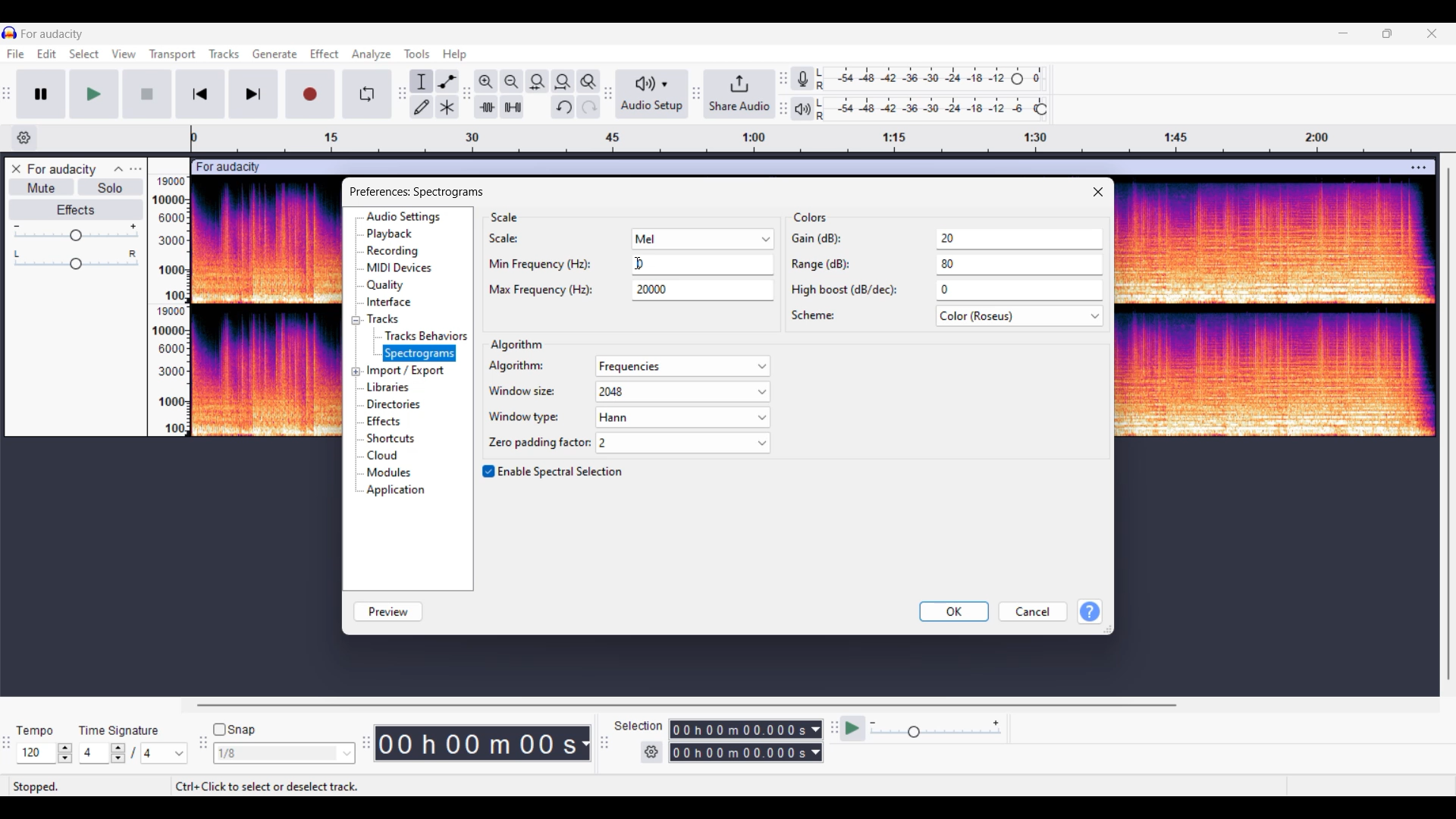  What do you see at coordinates (946, 240) in the screenshot?
I see `gain` at bounding box center [946, 240].